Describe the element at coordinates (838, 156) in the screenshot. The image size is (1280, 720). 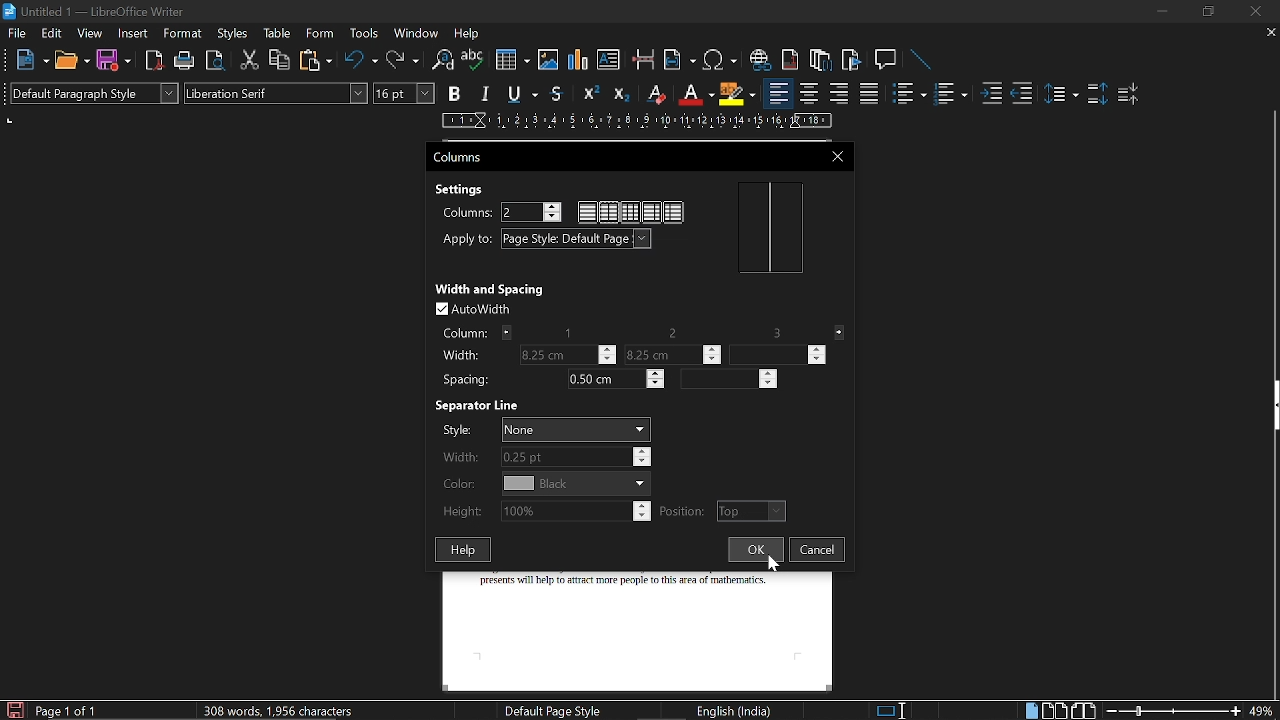
I see `Close` at that location.